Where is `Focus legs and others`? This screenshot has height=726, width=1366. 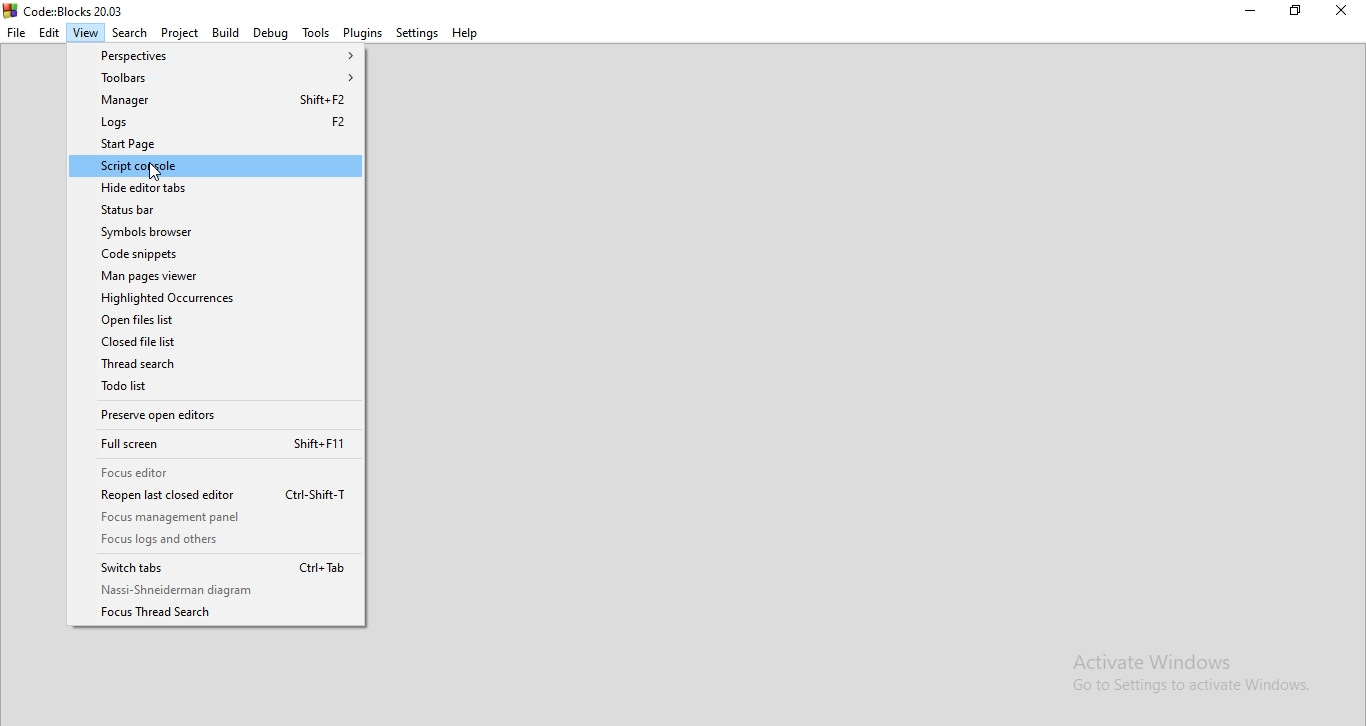
Focus legs and others is located at coordinates (218, 538).